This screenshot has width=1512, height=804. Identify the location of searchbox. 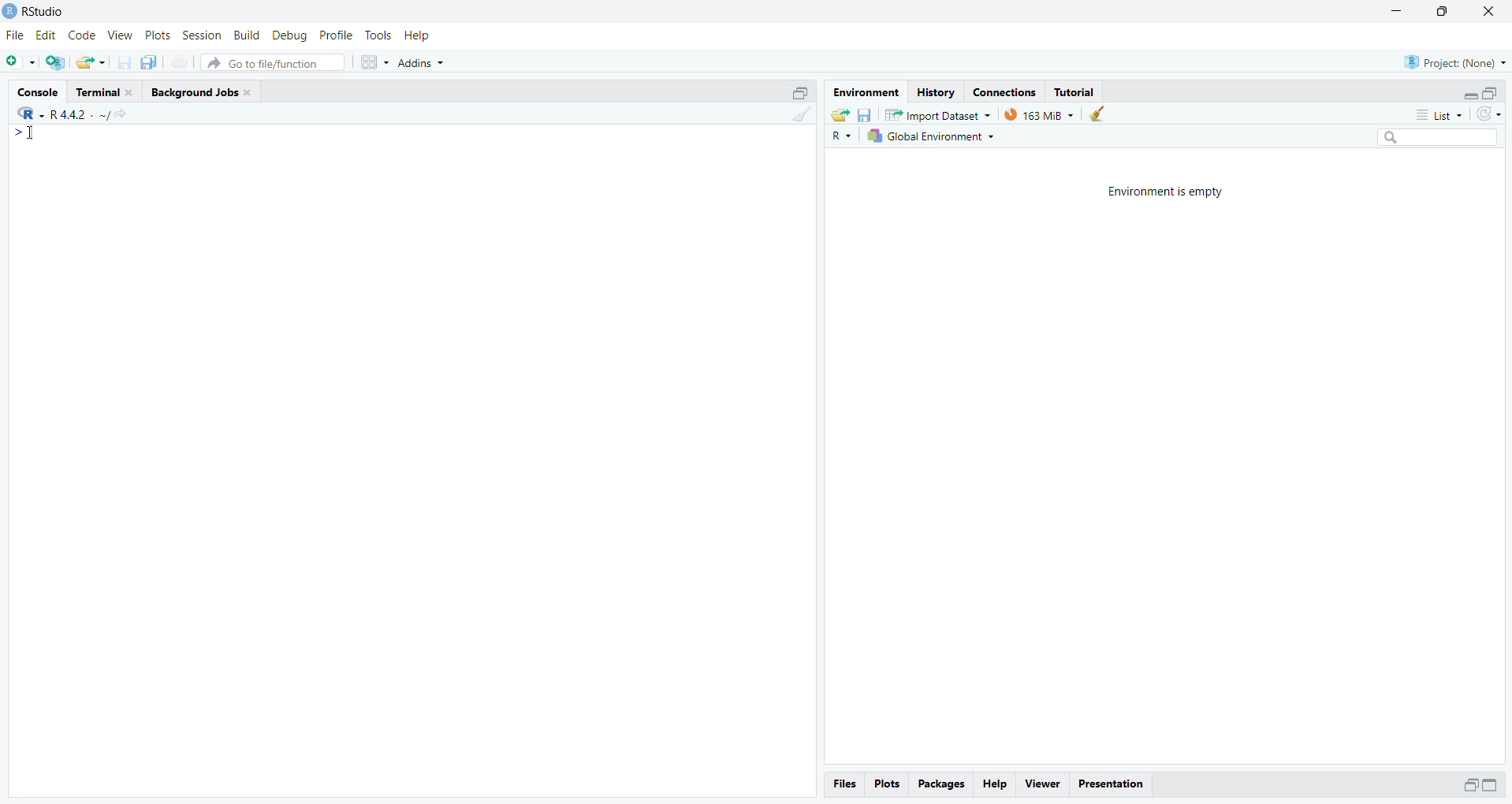
(1439, 136).